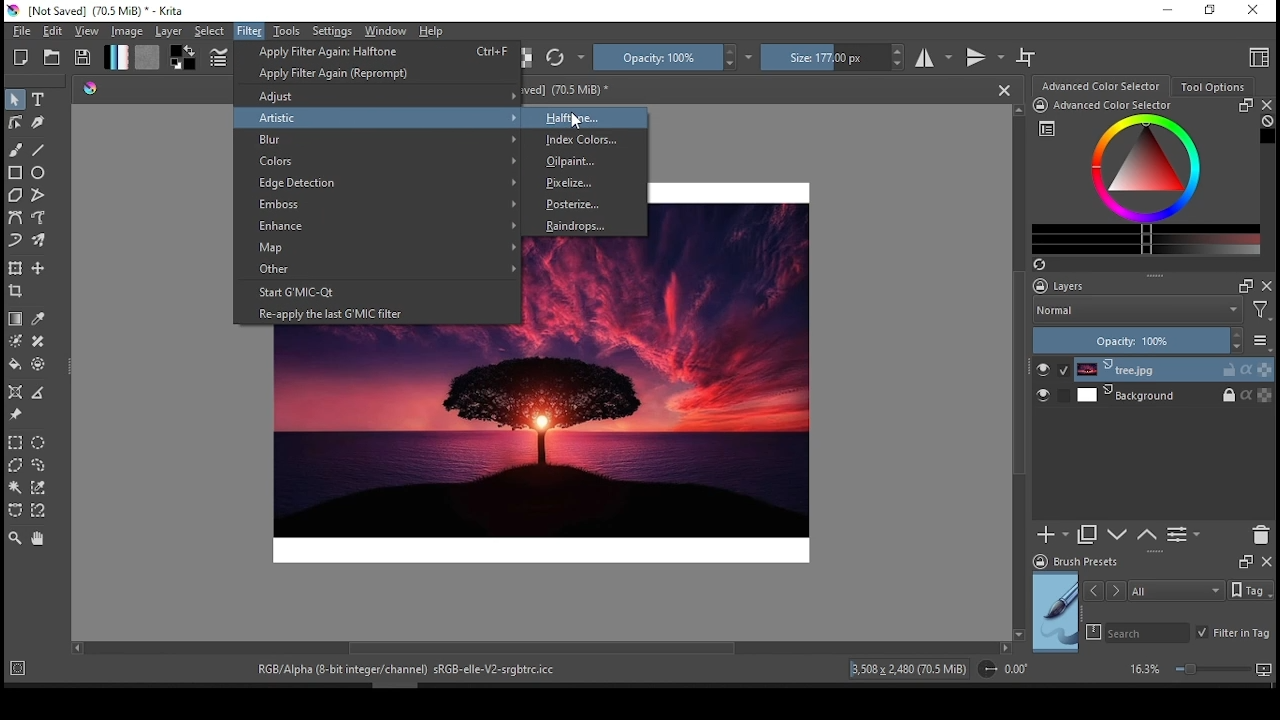 The height and width of the screenshot is (720, 1280). I want to click on reapply the last G'MIC filter , so click(375, 313).